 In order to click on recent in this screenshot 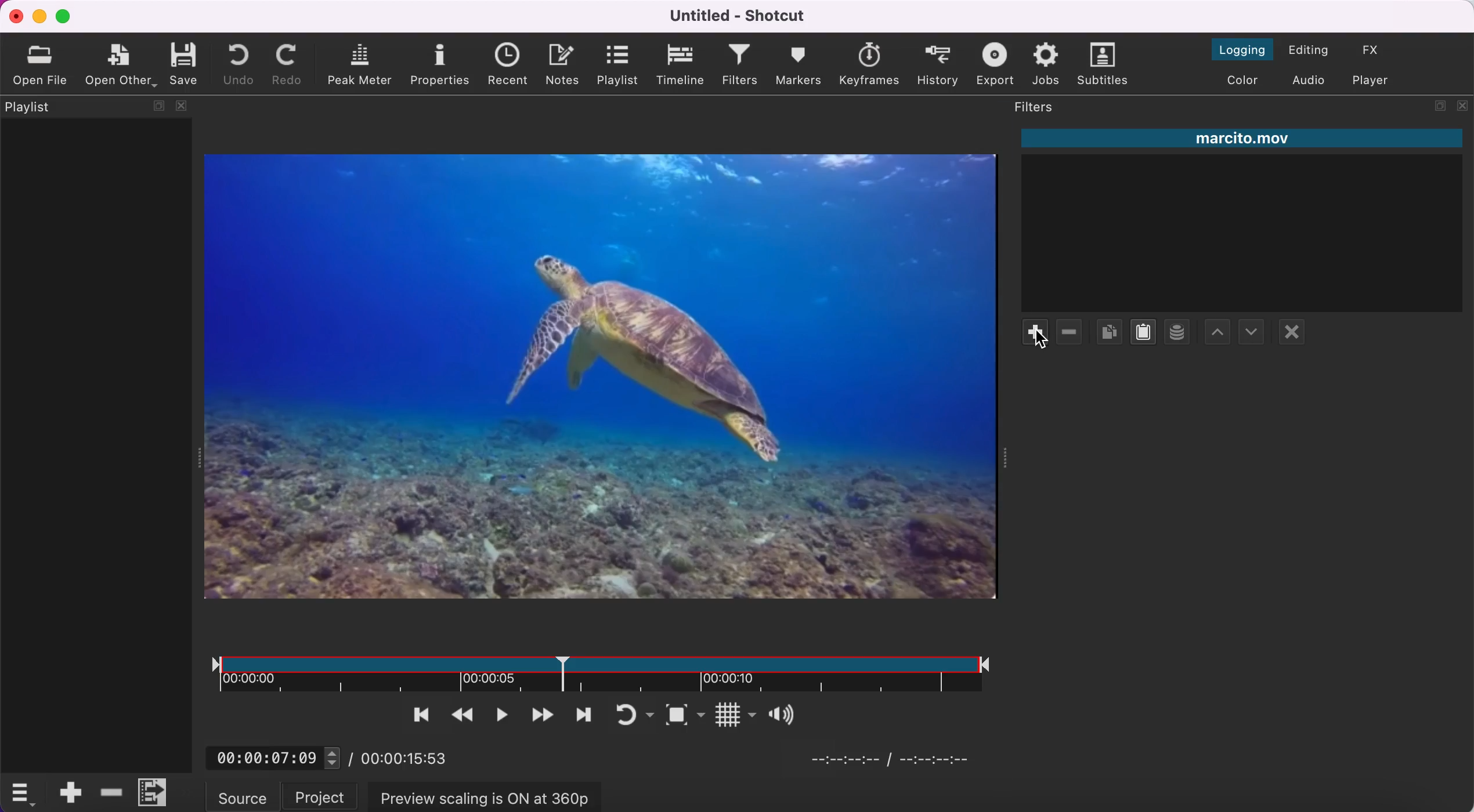, I will do `click(507, 66)`.